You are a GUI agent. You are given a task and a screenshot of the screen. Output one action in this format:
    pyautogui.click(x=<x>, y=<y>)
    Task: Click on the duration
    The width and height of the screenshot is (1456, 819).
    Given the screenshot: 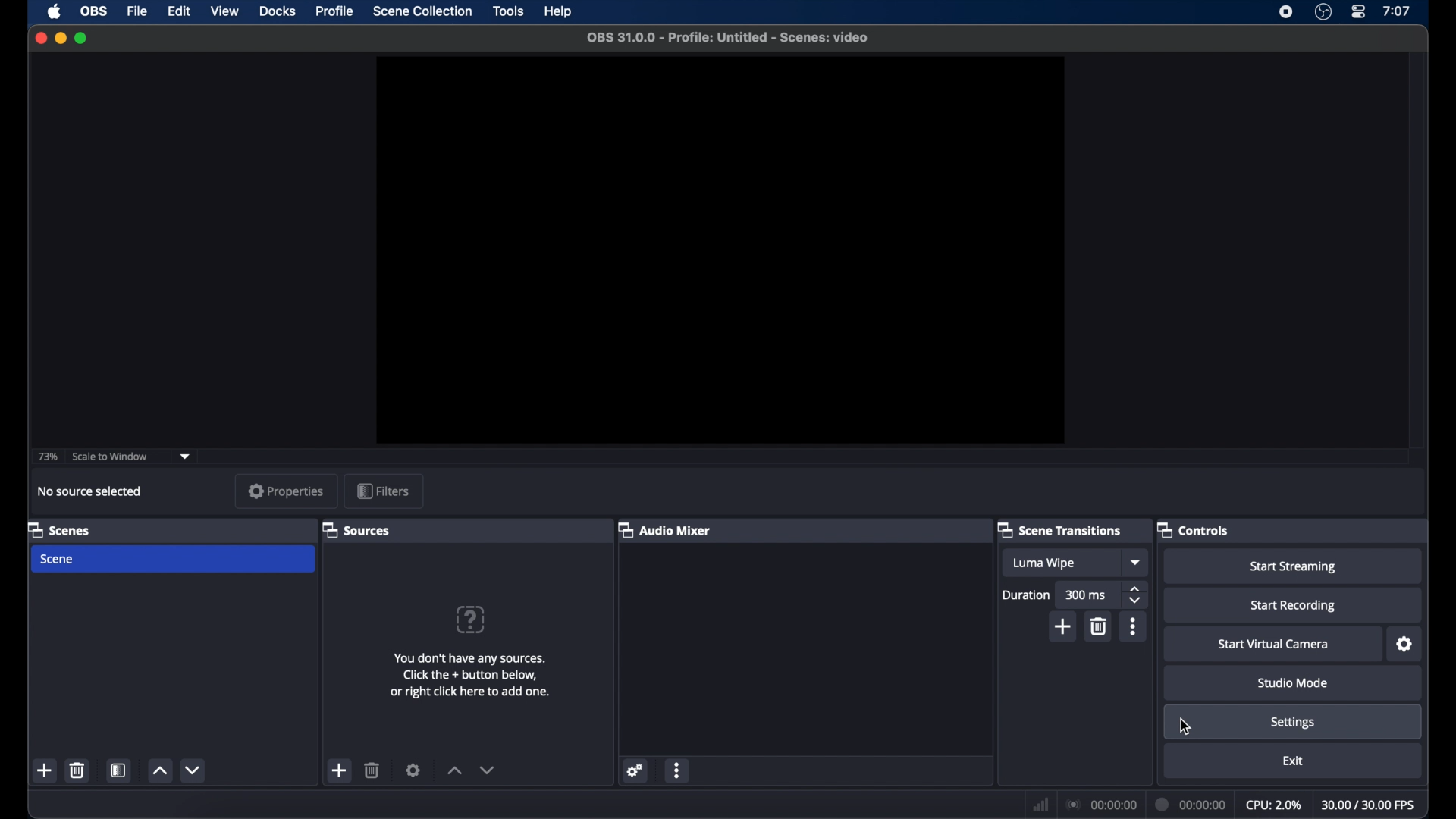 What is the action you would take?
    pyautogui.click(x=1192, y=803)
    